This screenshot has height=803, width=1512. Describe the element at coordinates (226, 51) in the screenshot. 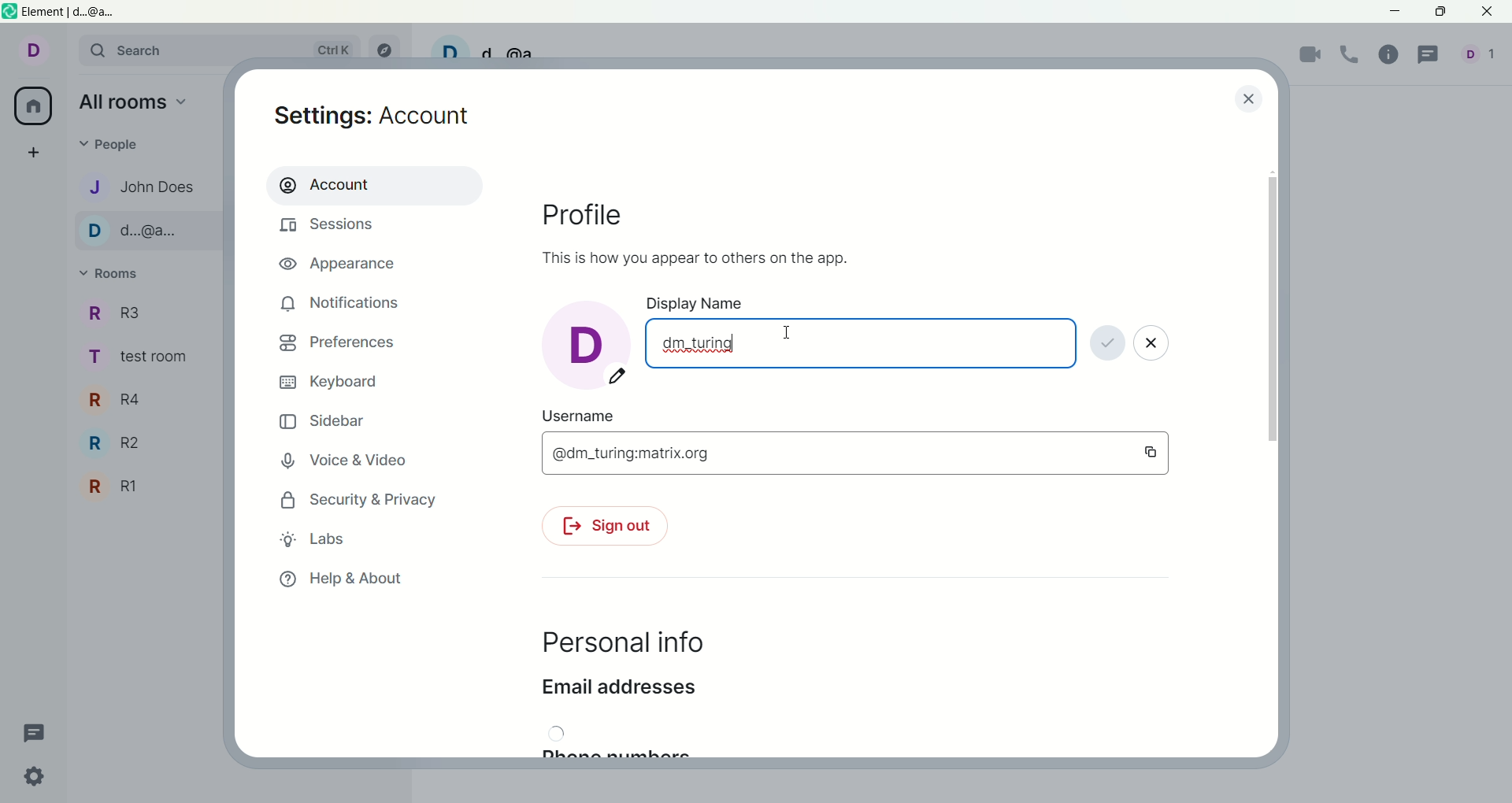

I see `search` at that location.